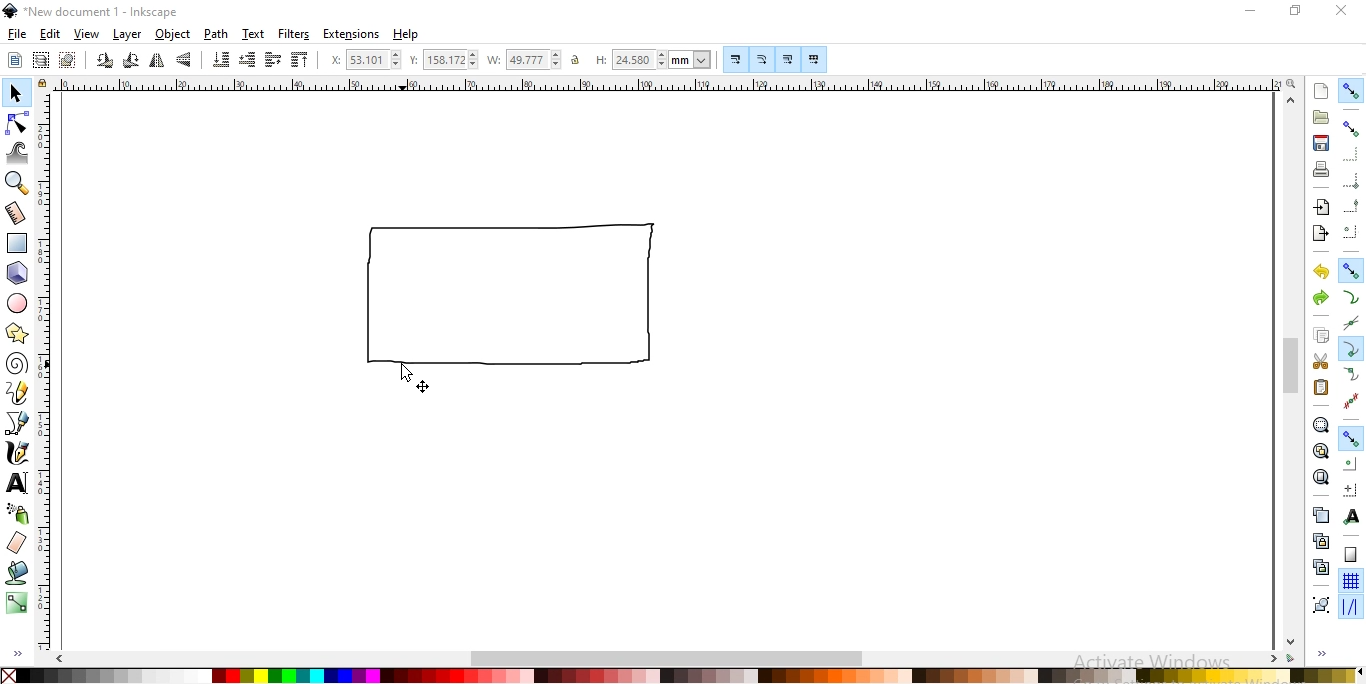 This screenshot has width=1366, height=684. Describe the element at coordinates (94, 11) in the screenshot. I see `new document 1 -Inkscape` at that location.